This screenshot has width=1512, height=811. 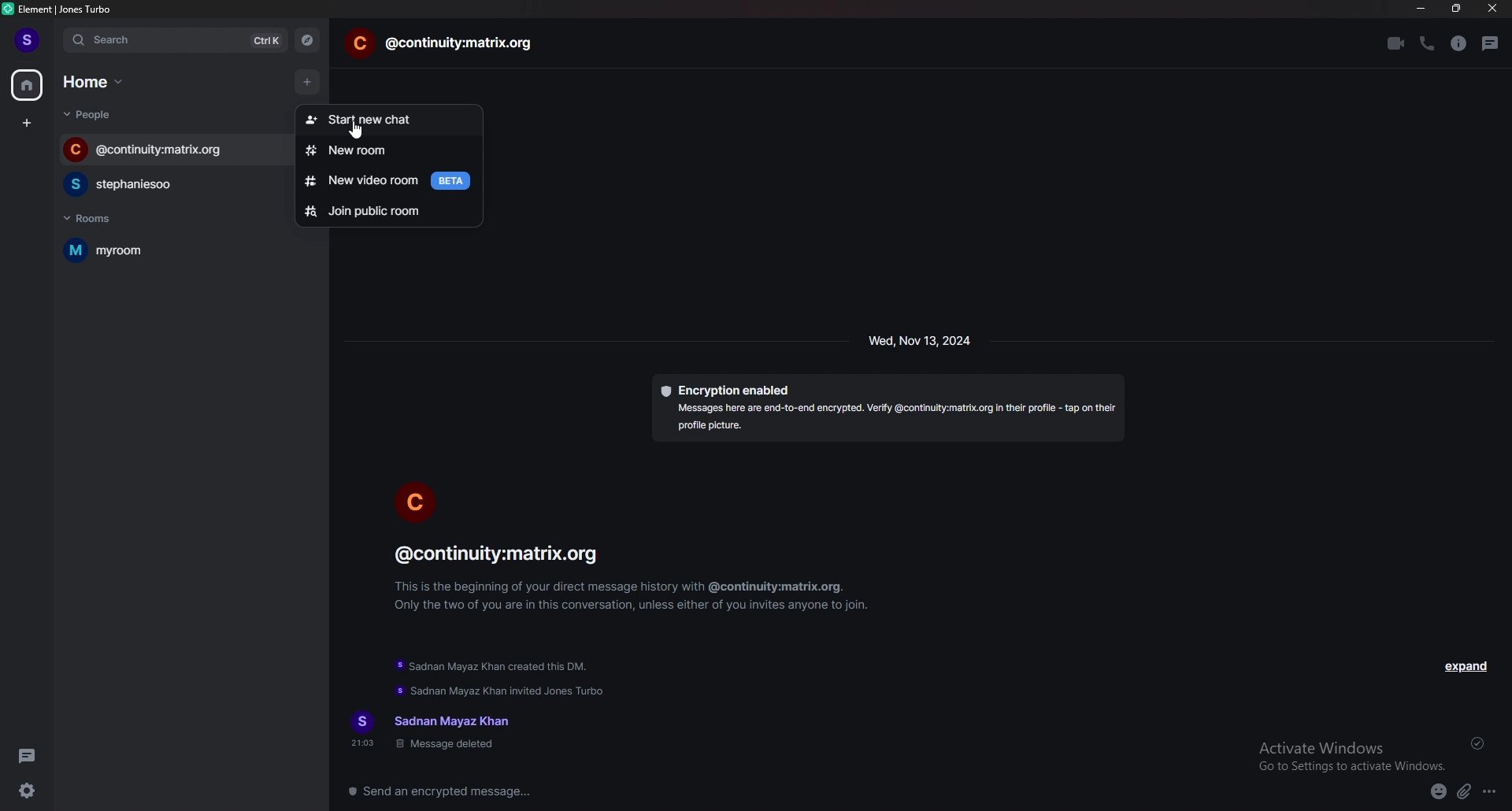 What do you see at coordinates (502, 691) in the screenshot?
I see `update` at bounding box center [502, 691].